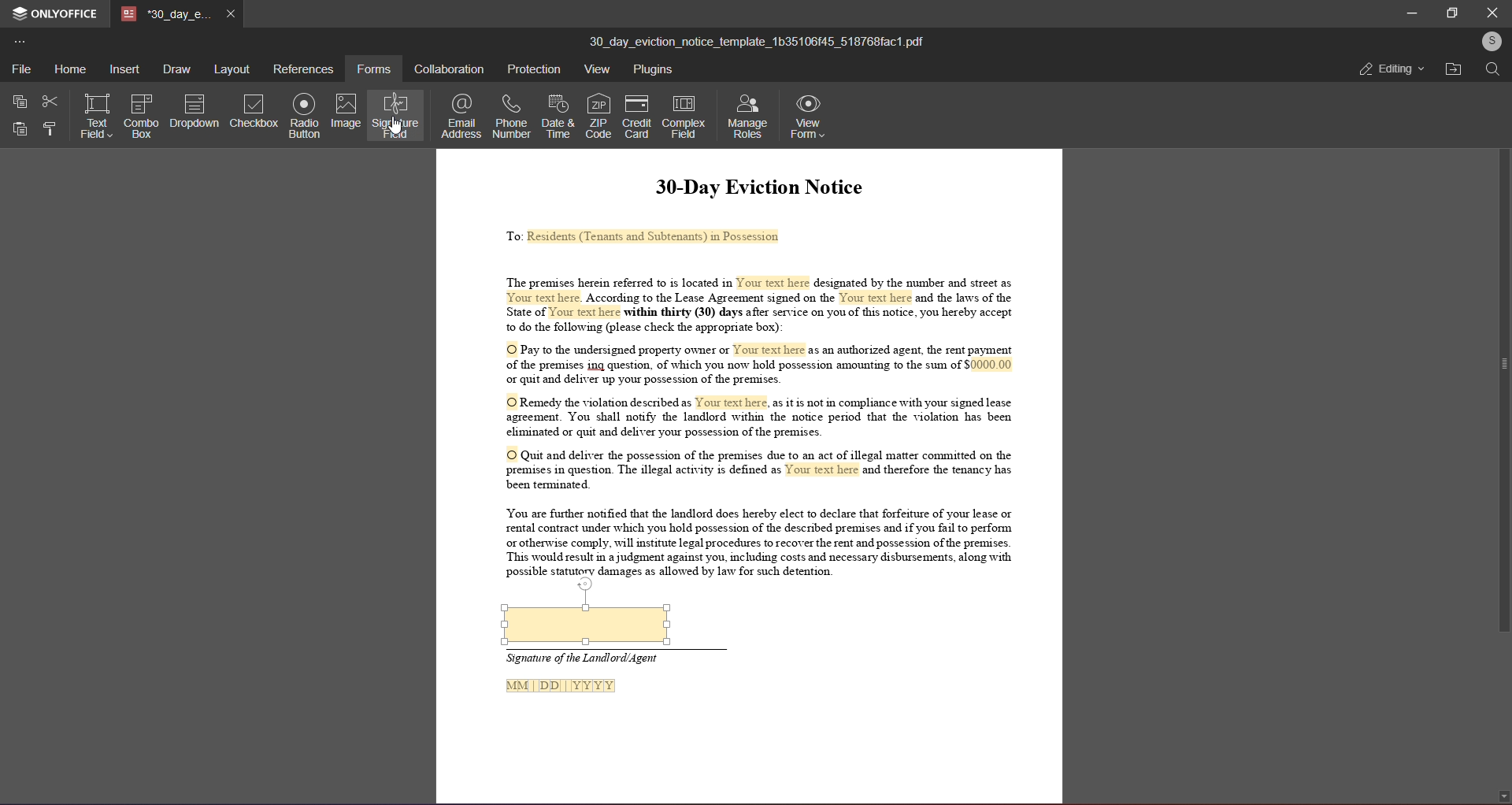 This screenshot has height=805, width=1512. Describe the element at coordinates (20, 128) in the screenshot. I see `paste` at that location.